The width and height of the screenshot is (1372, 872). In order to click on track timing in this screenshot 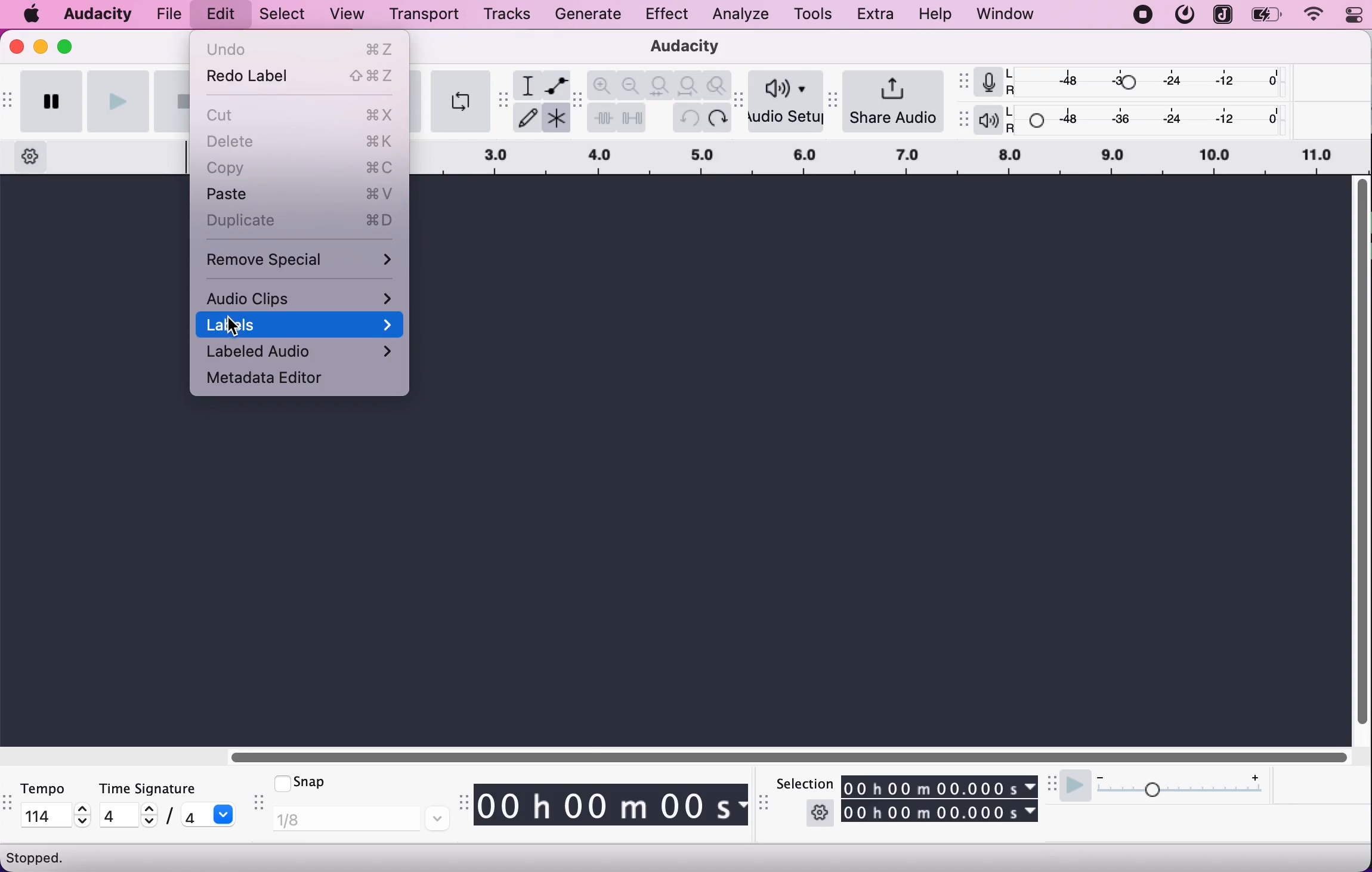, I will do `click(940, 786)`.